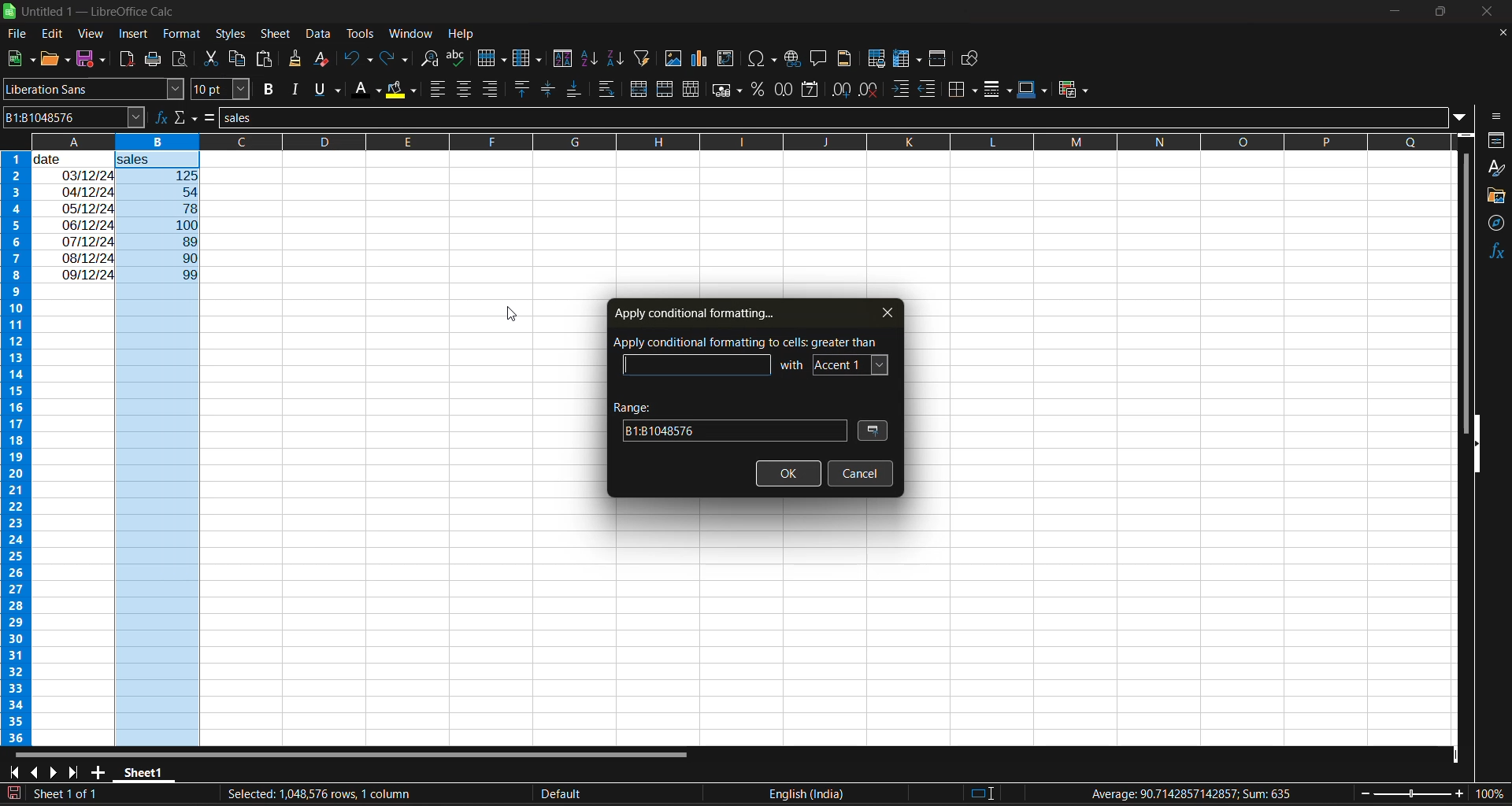  Describe the element at coordinates (298, 60) in the screenshot. I see `clone formatting` at that location.